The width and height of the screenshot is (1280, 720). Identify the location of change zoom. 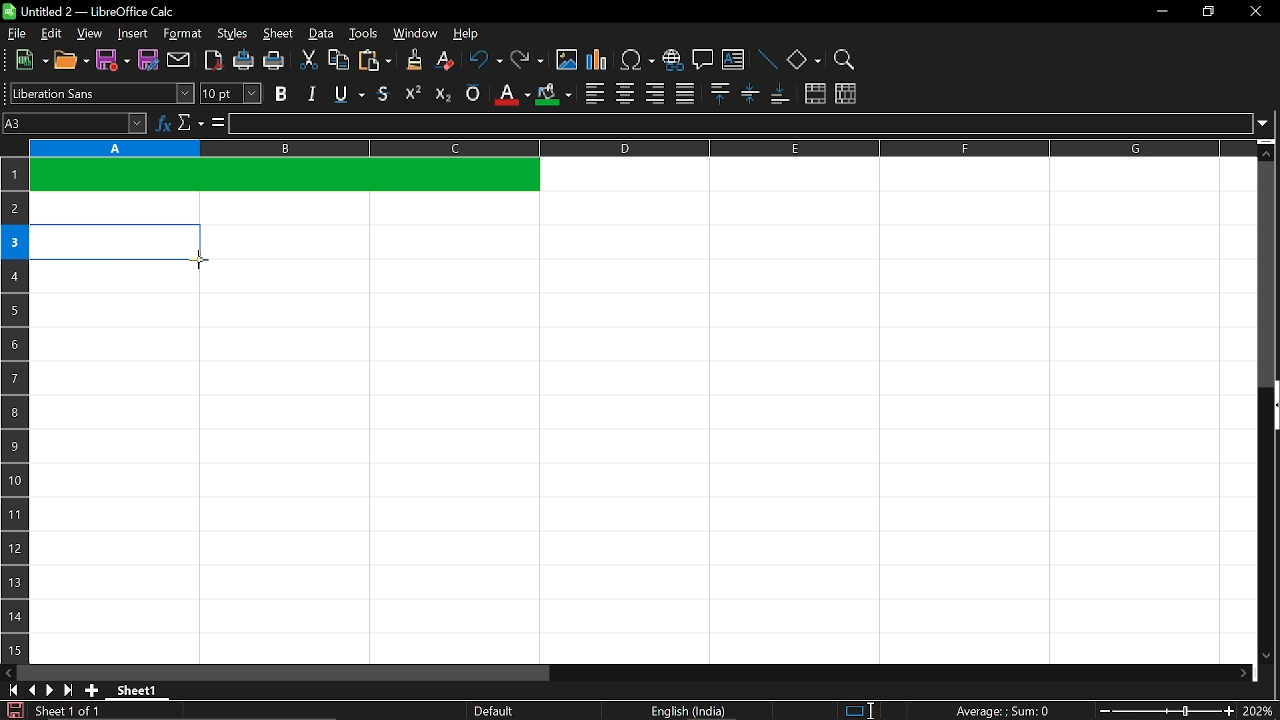
(1163, 711).